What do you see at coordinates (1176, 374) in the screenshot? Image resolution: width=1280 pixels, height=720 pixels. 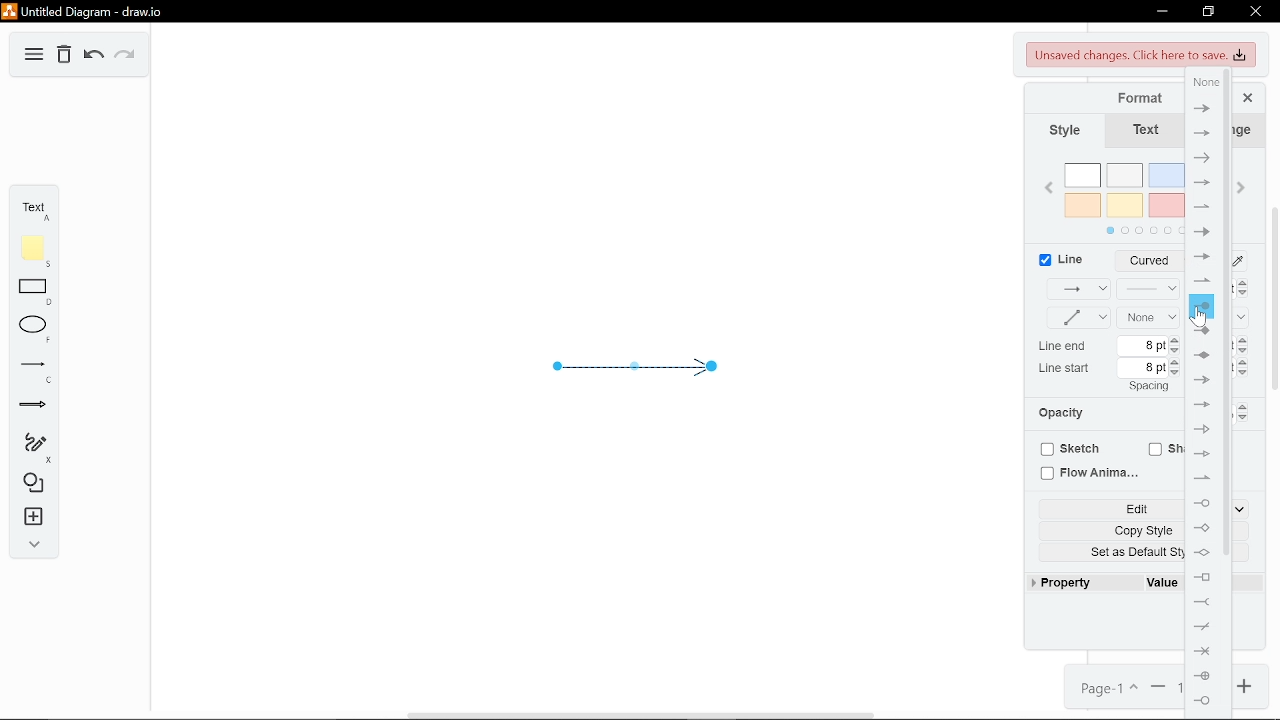 I see `Decrease line start spacing` at bounding box center [1176, 374].